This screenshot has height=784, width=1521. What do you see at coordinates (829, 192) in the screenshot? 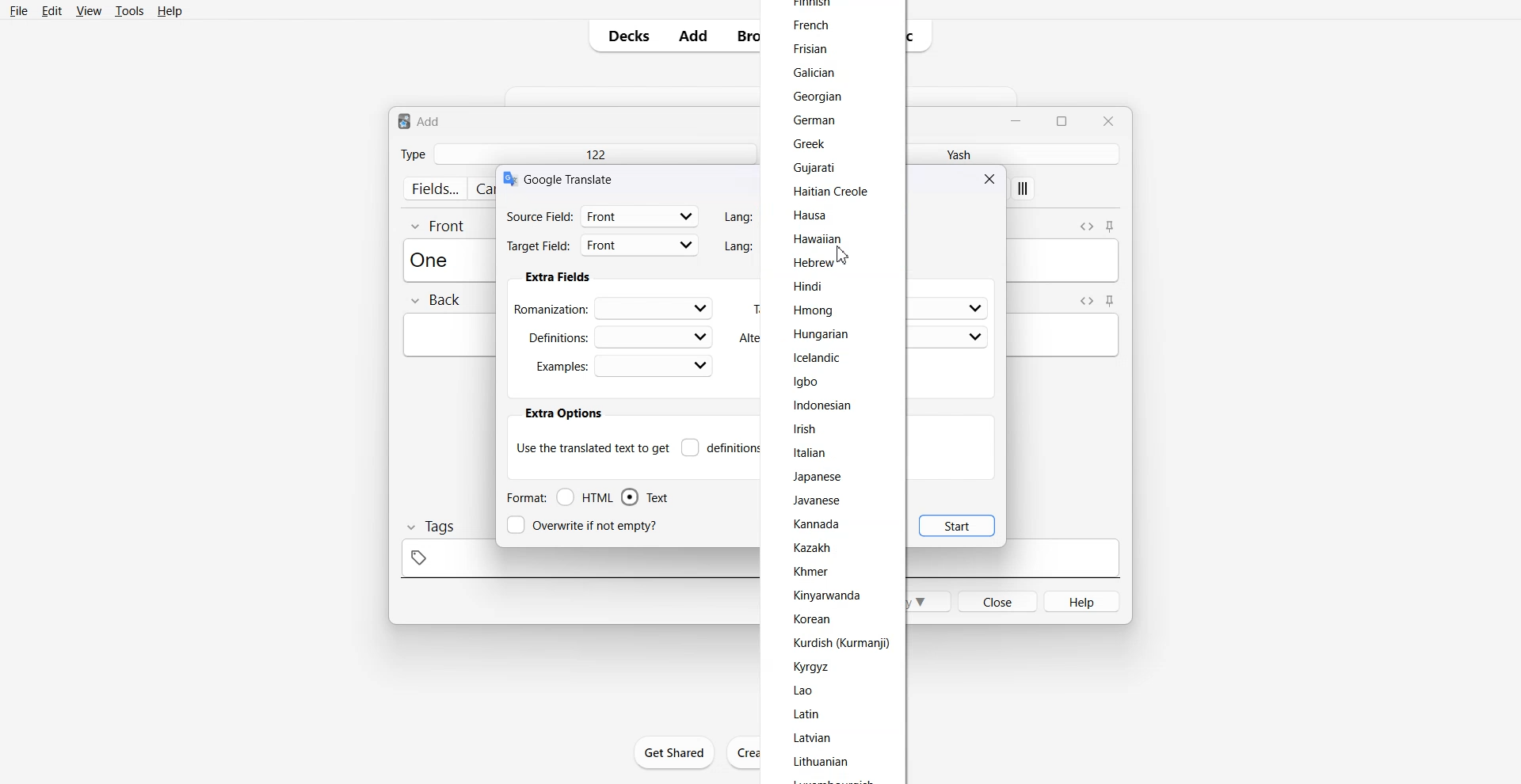
I see `Haitian Creole` at bounding box center [829, 192].